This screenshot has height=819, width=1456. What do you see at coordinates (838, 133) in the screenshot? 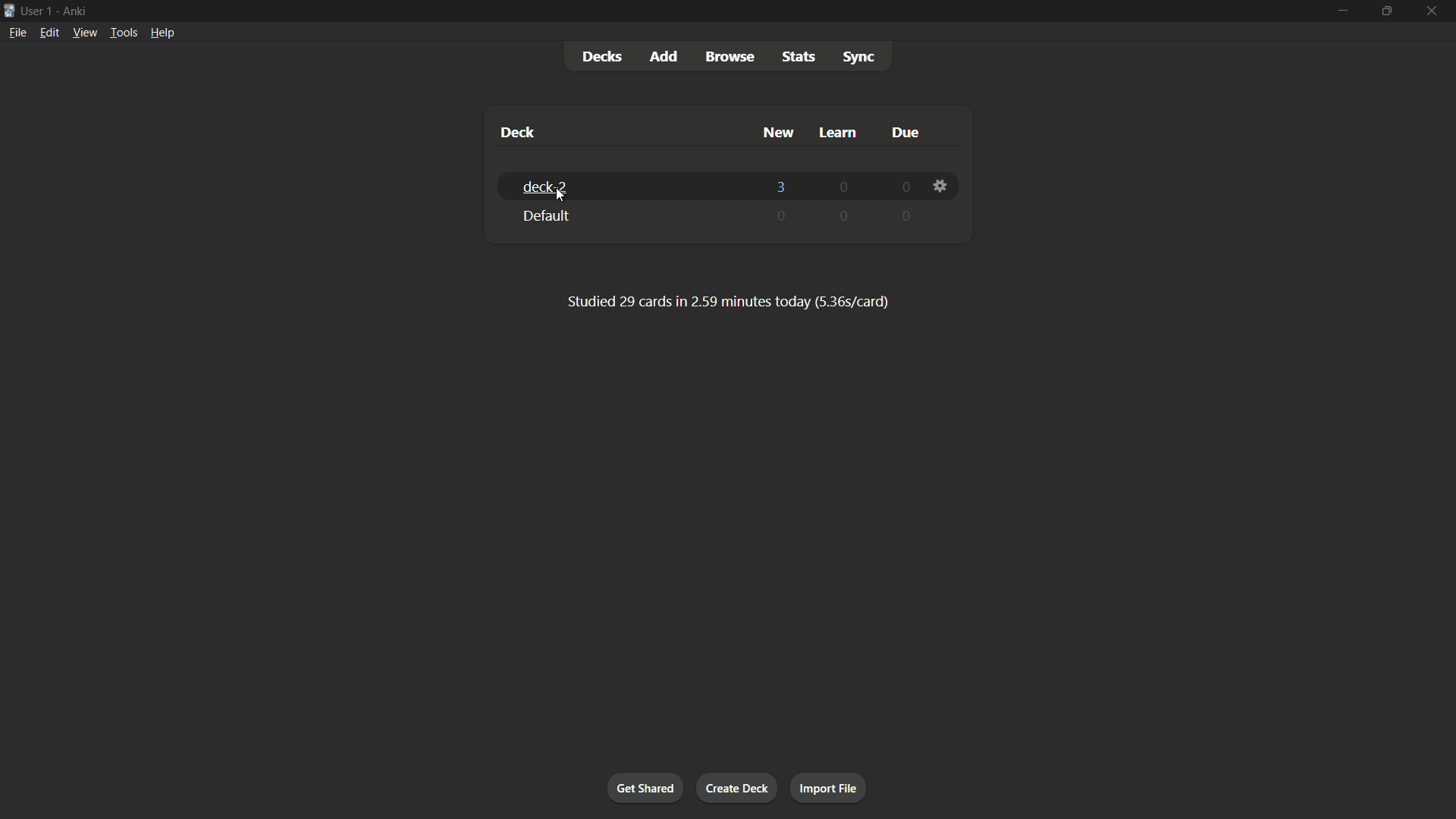
I see `learn` at bounding box center [838, 133].